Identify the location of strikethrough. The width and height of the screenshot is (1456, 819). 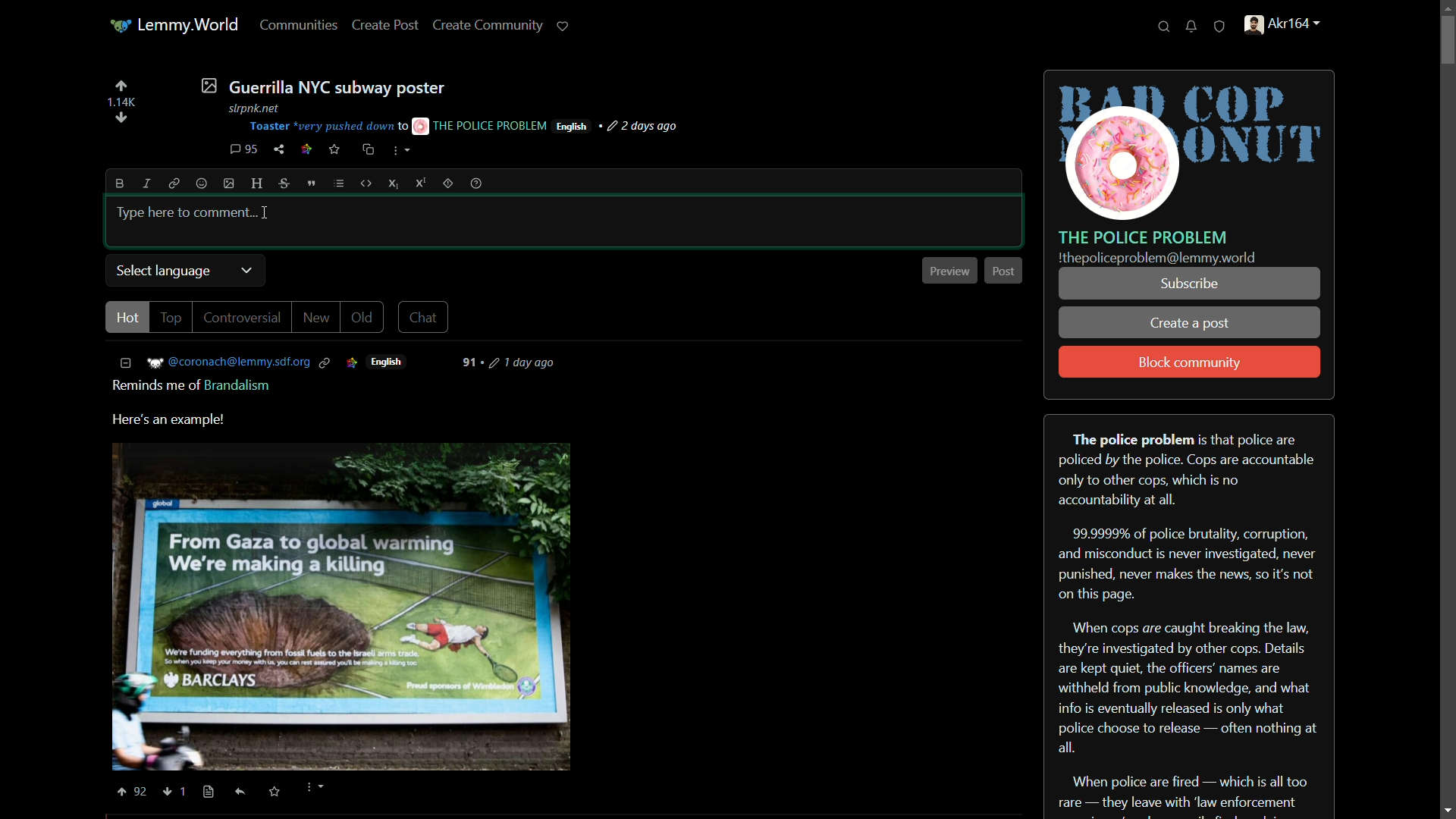
(286, 184).